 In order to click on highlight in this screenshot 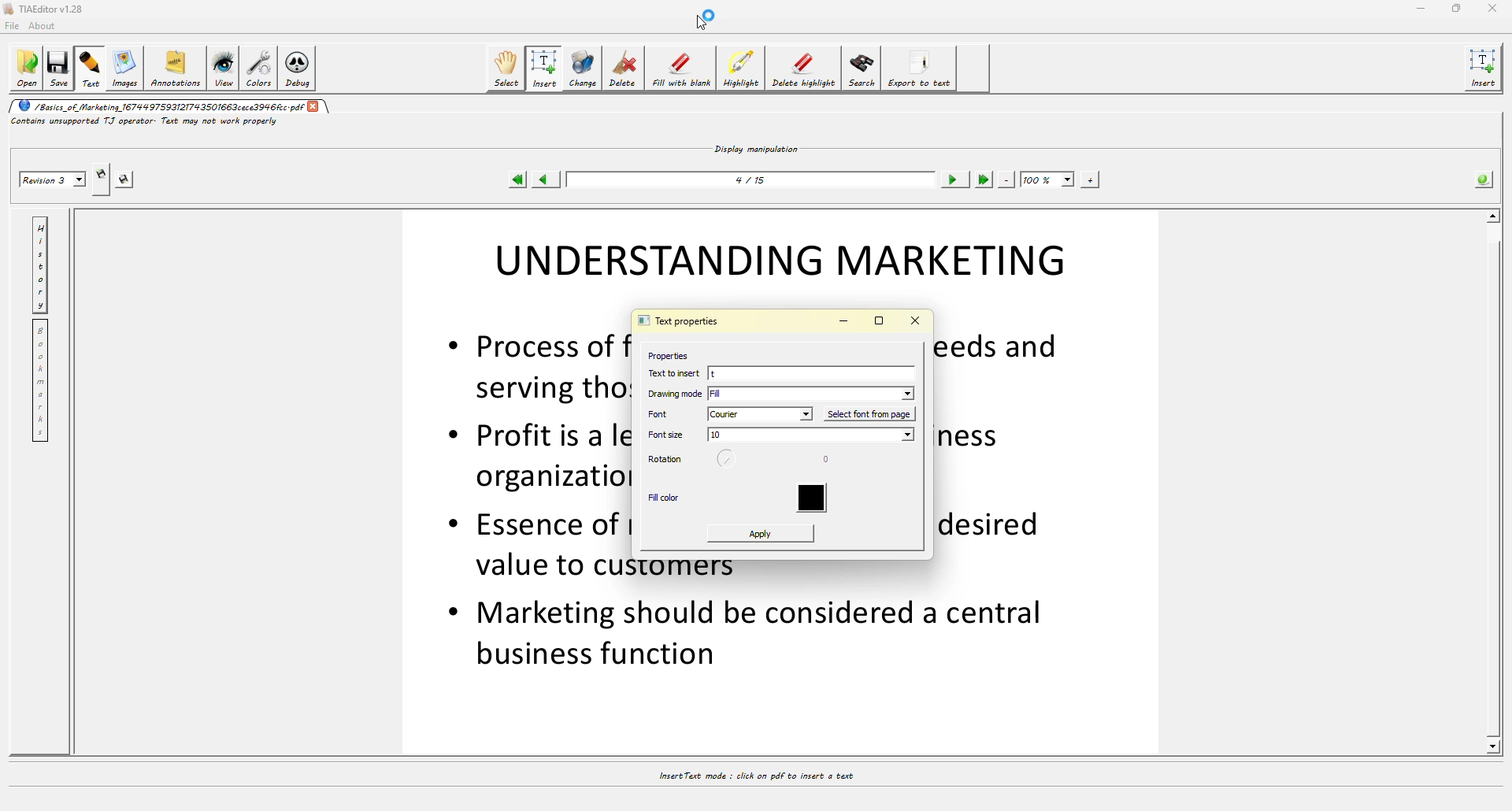, I will do `click(741, 69)`.